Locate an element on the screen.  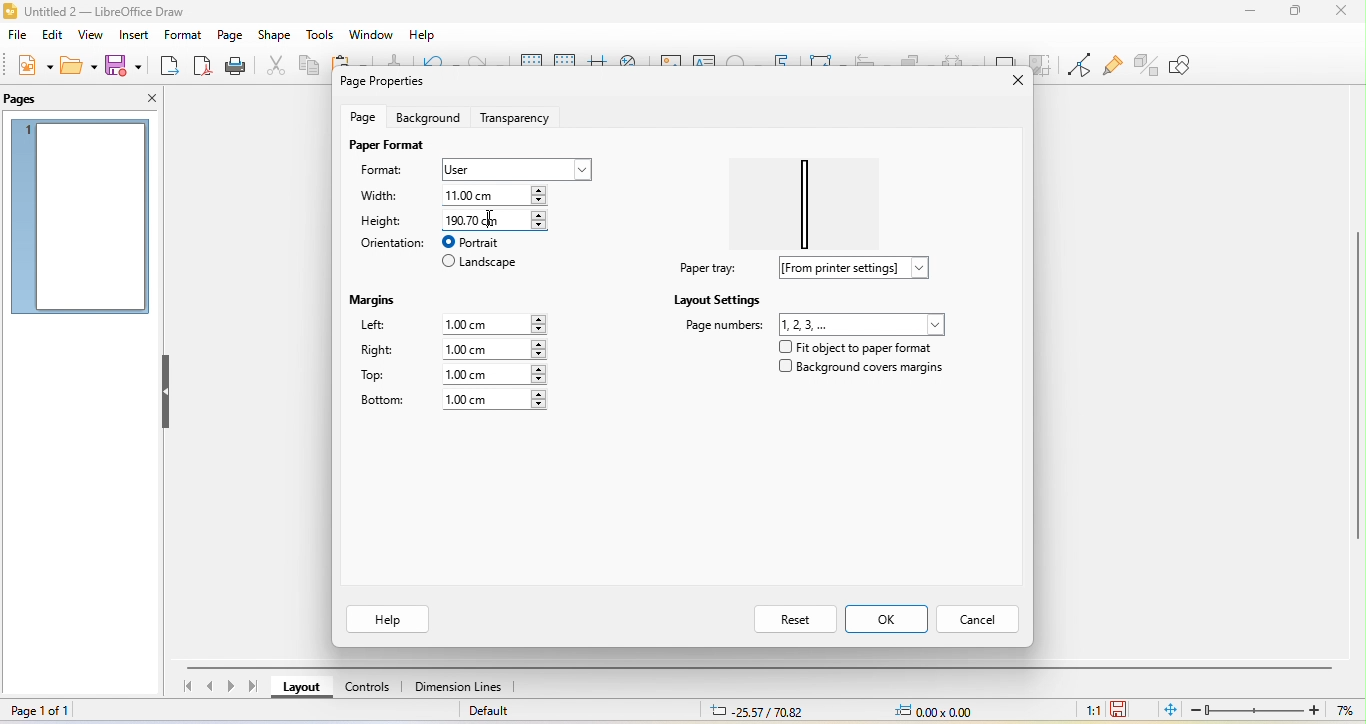
layout is located at coordinates (303, 690).